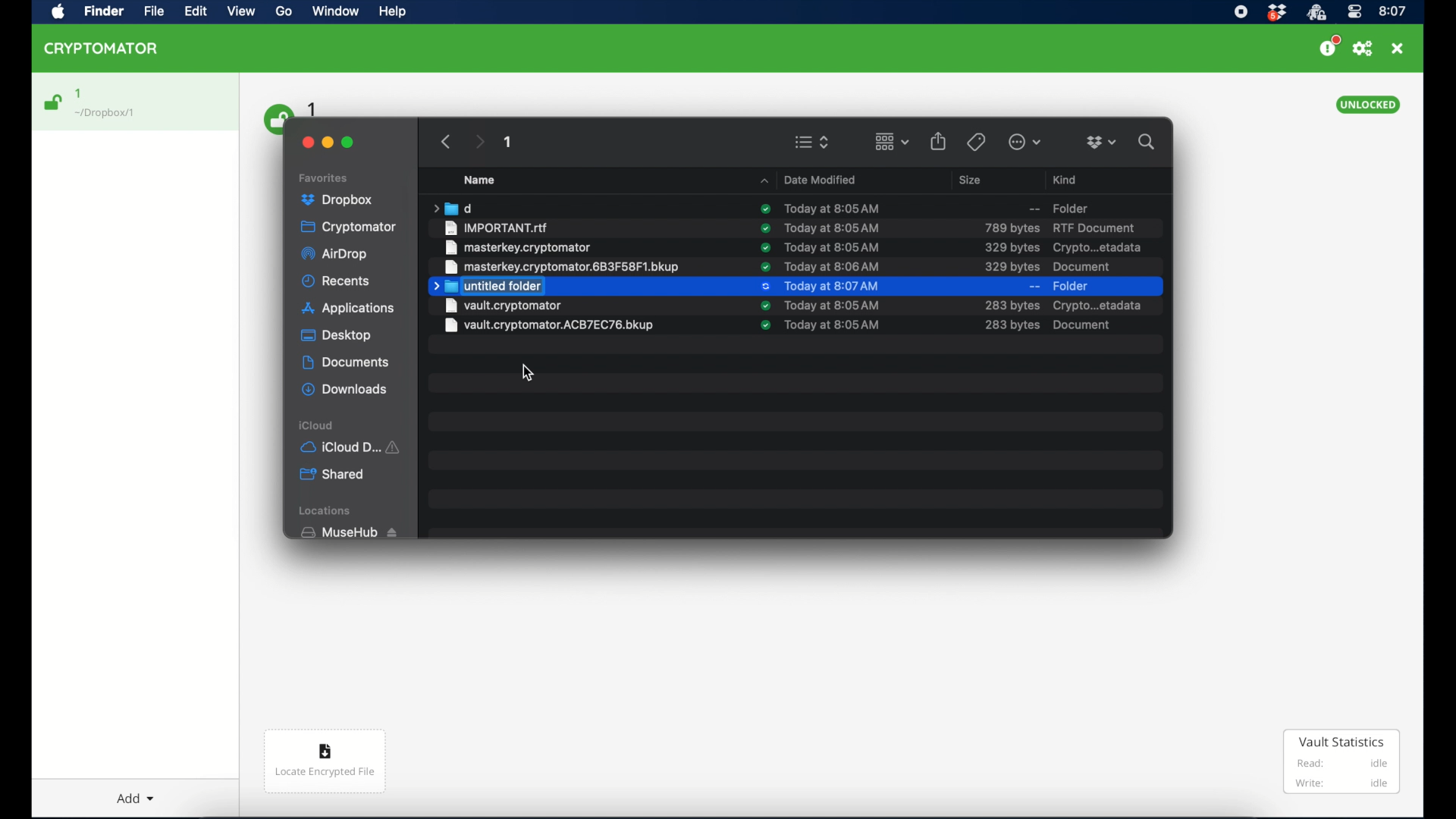  I want to click on date, so click(833, 247).